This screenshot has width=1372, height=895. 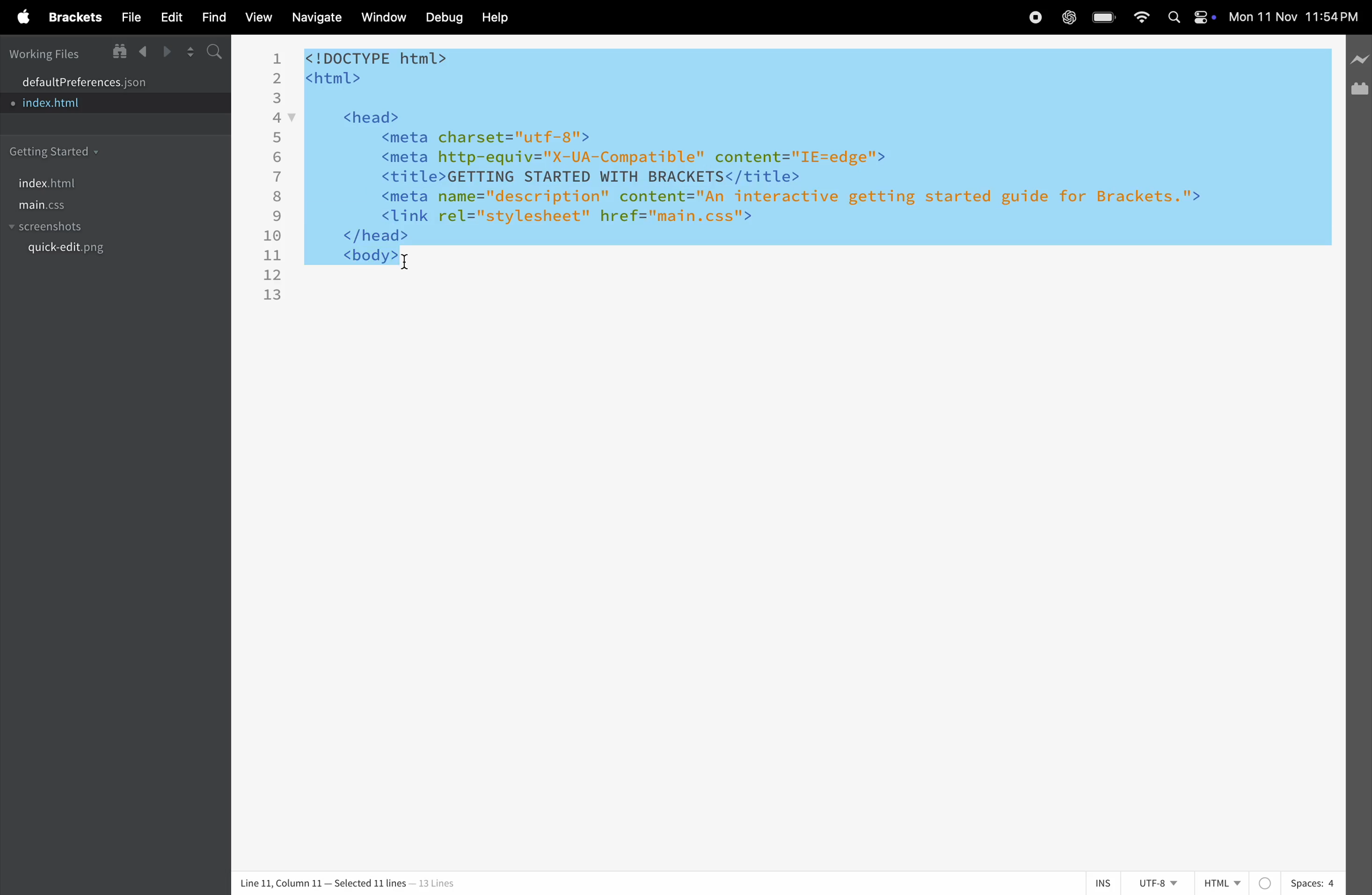 I want to click on default program, so click(x=105, y=80).